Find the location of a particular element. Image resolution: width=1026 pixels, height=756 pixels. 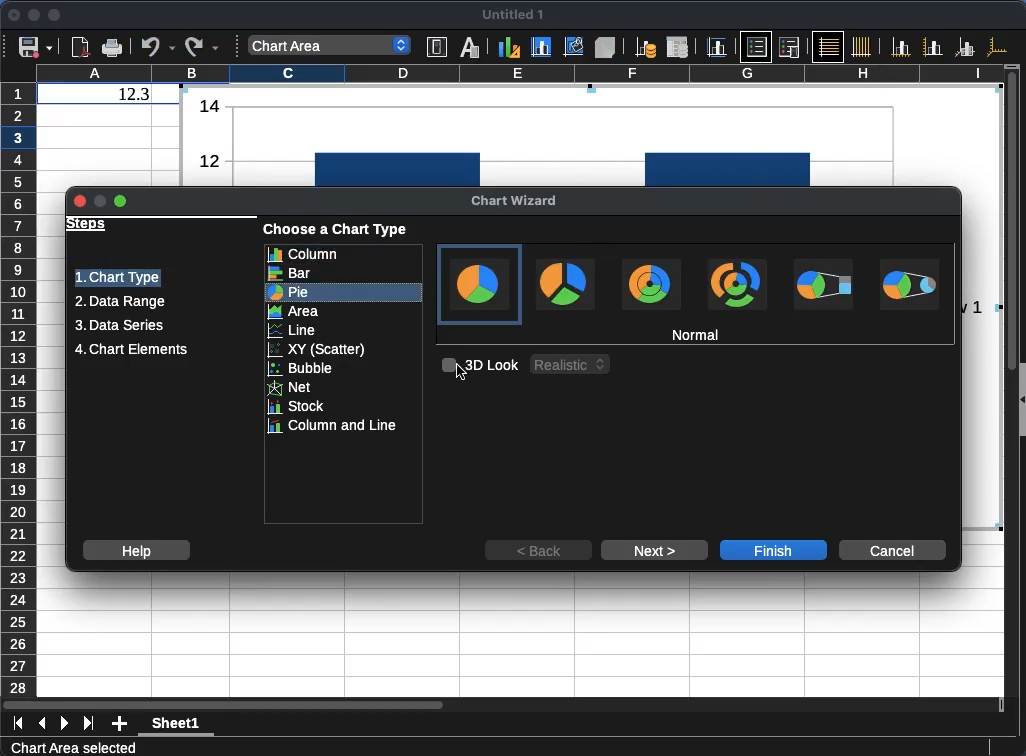

help is located at coordinates (136, 550).